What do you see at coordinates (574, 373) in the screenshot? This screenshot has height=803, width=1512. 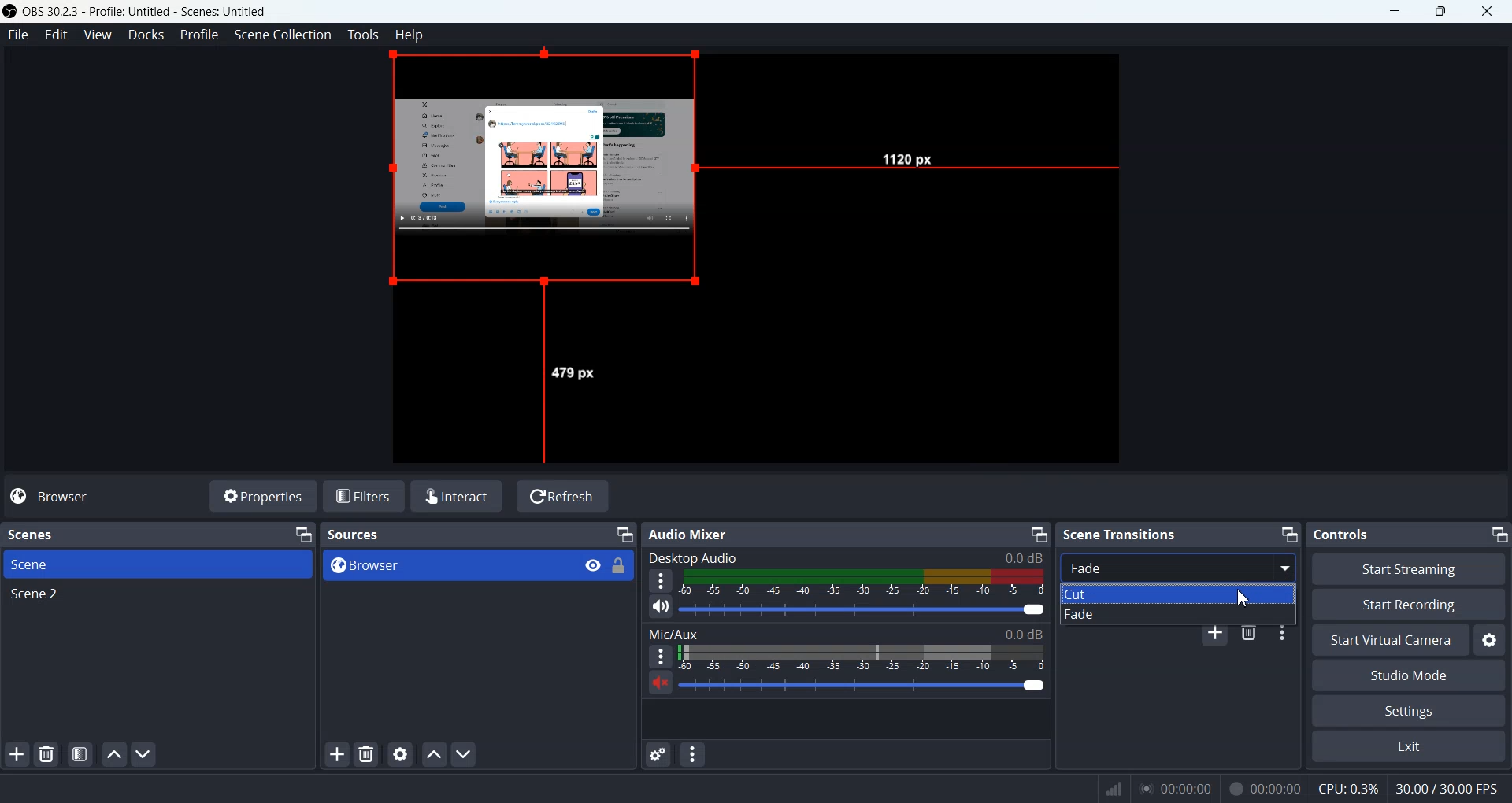 I see `` at bounding box center [574, 373].